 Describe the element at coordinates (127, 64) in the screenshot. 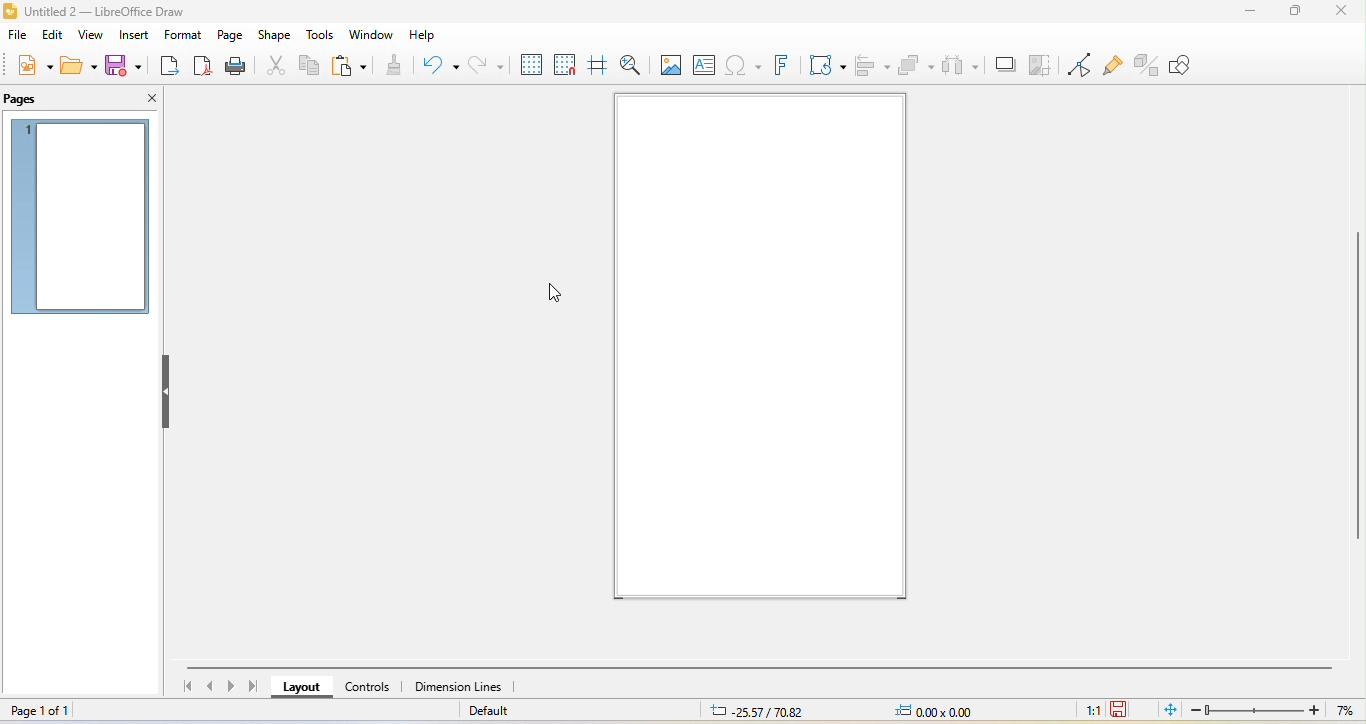

I see `save` at that location.